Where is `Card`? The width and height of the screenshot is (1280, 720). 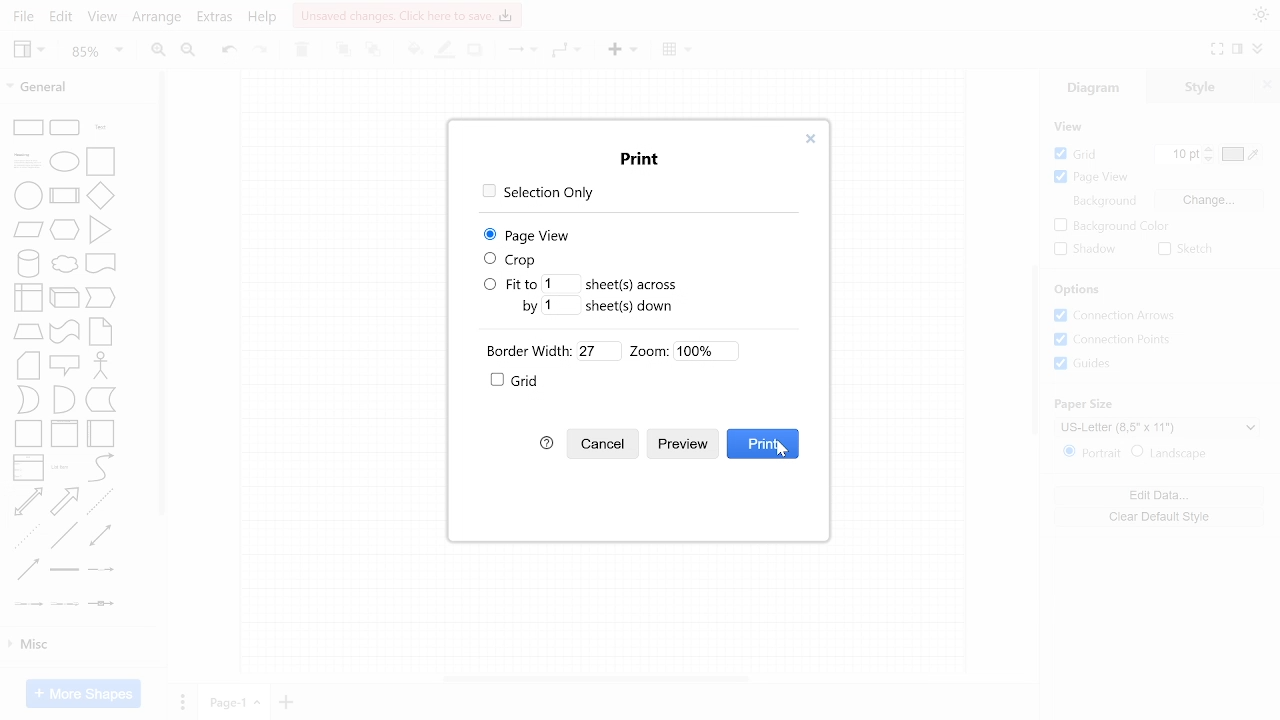
Card is located at coordinates (28, 366).